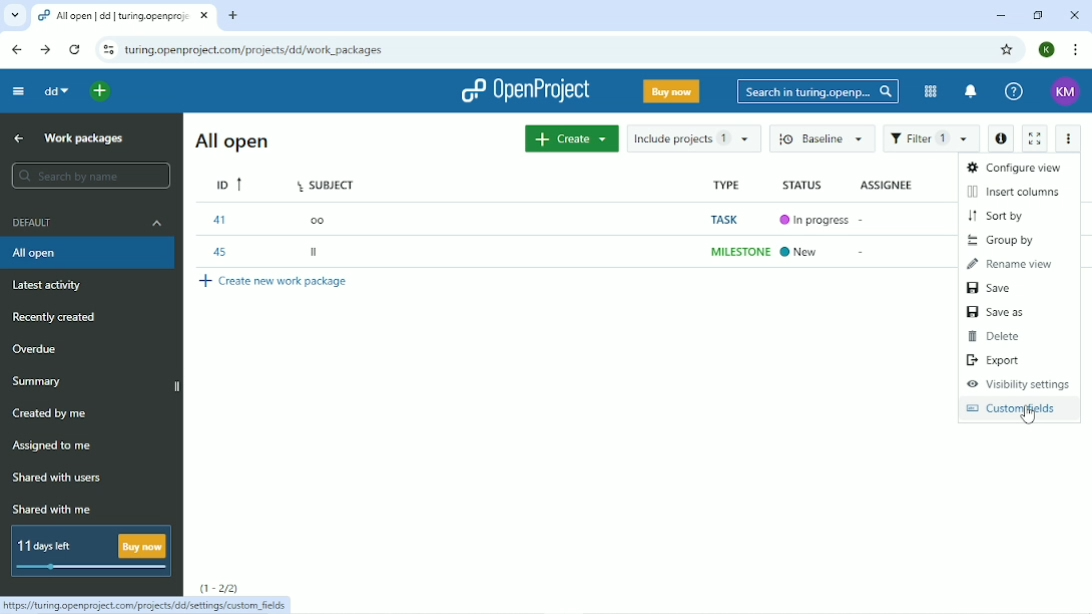 The width and height of the screenshot is (1092, 614). I want to click on Rename view, so click(1011, 265).